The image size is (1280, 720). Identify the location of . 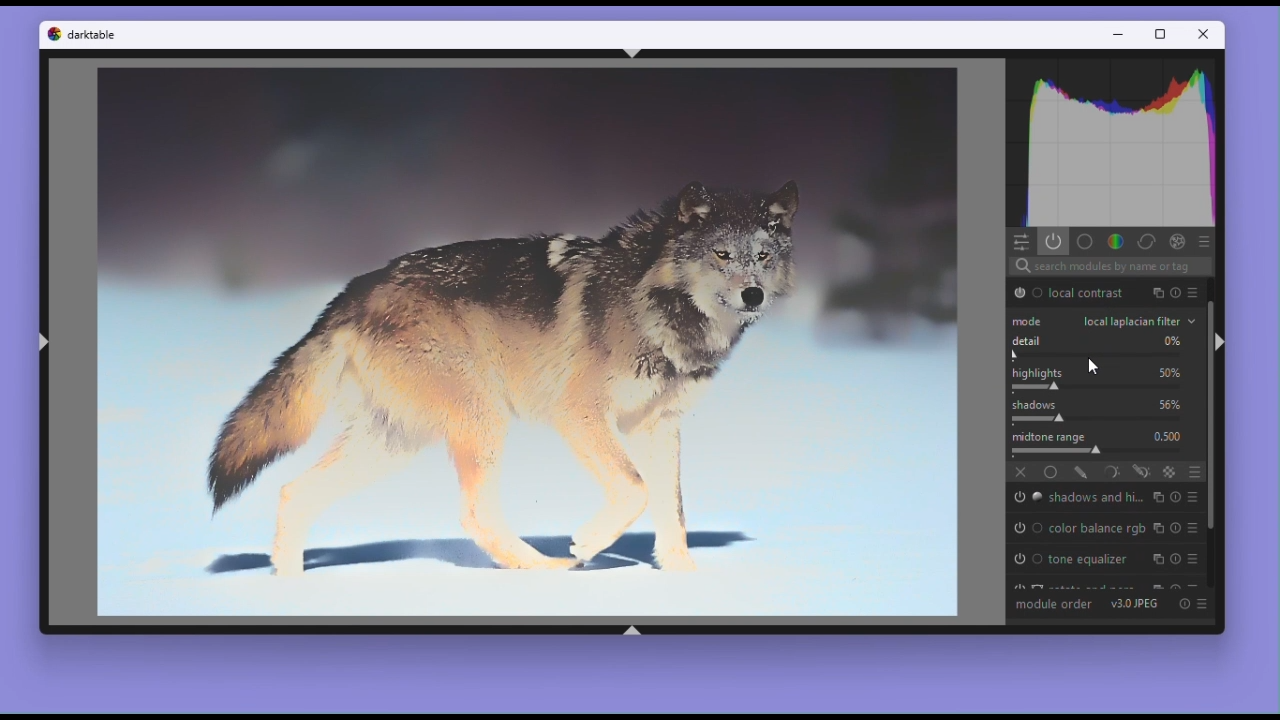
(1176, 498).